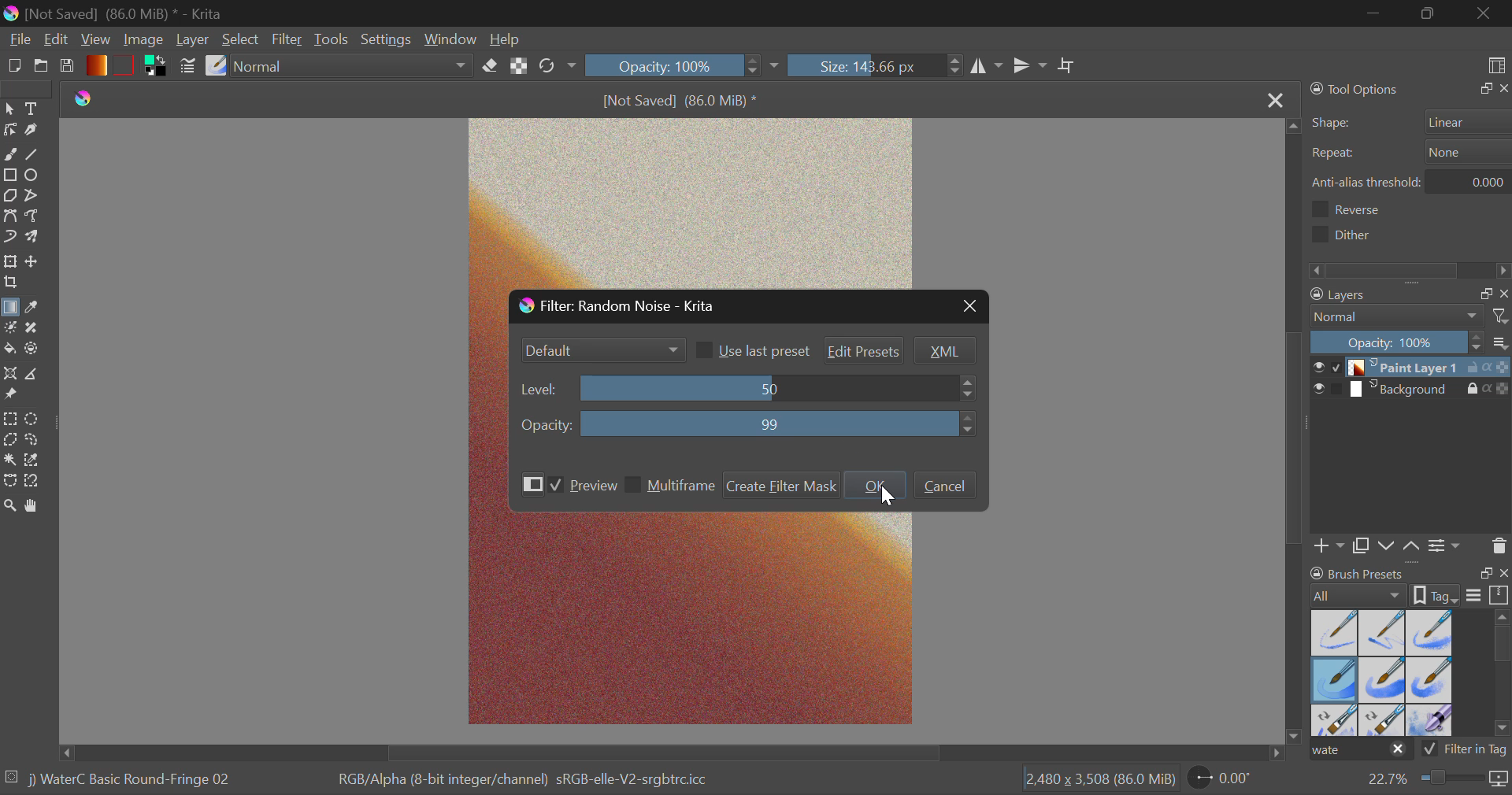  I want to click on Window Title, so click(624, 308).